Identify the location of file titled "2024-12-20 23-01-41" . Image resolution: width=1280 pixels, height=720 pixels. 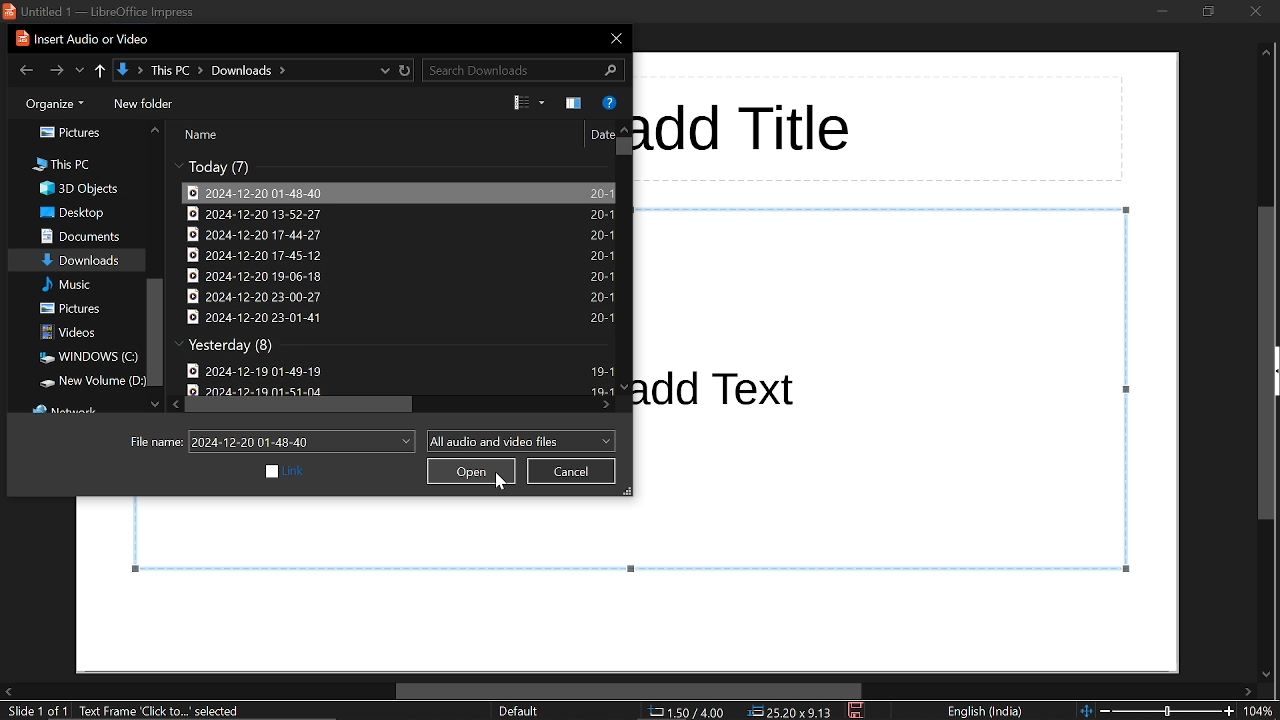
(399, 317).